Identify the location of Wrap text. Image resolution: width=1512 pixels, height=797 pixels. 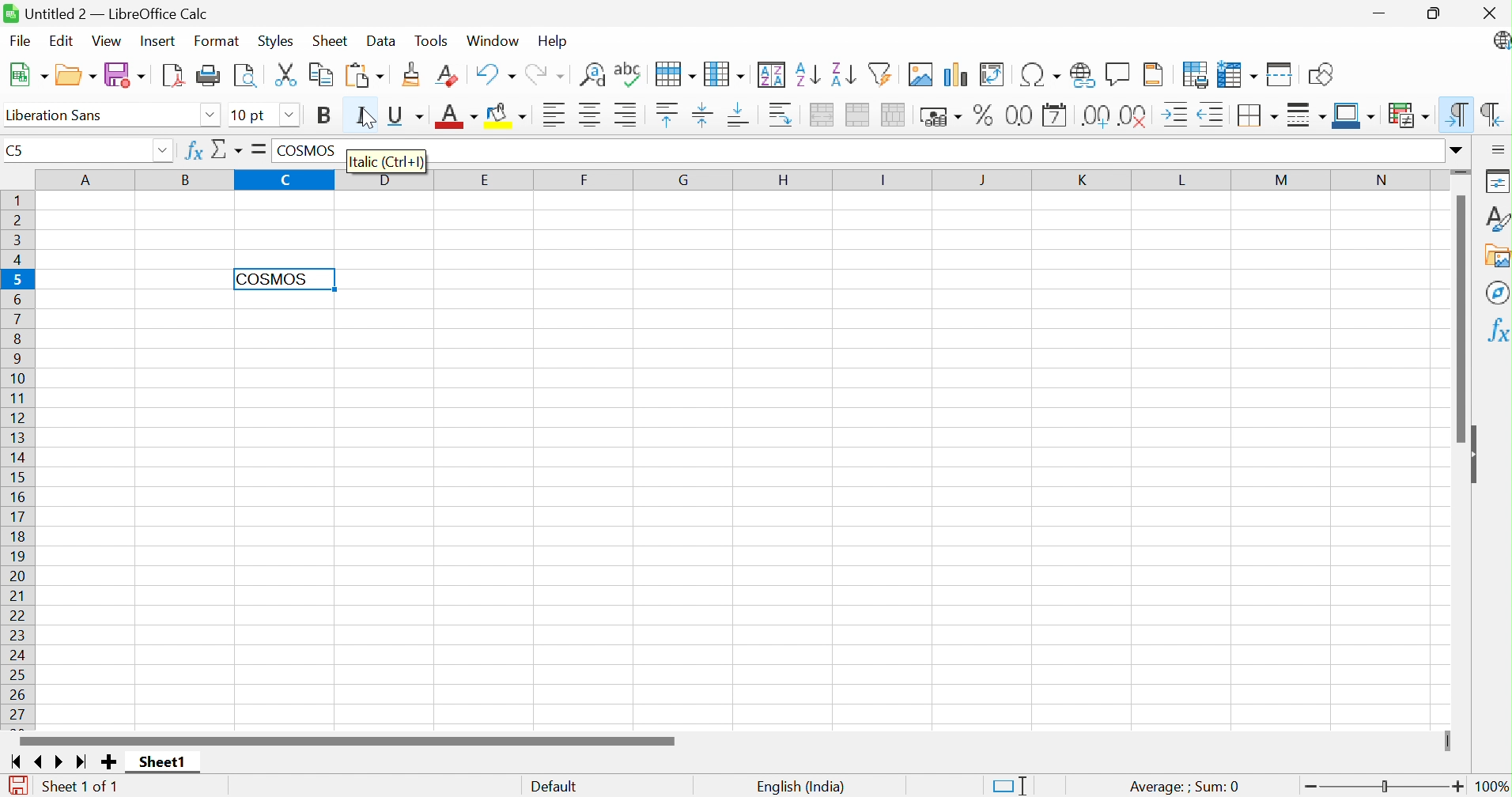
(781, 115).